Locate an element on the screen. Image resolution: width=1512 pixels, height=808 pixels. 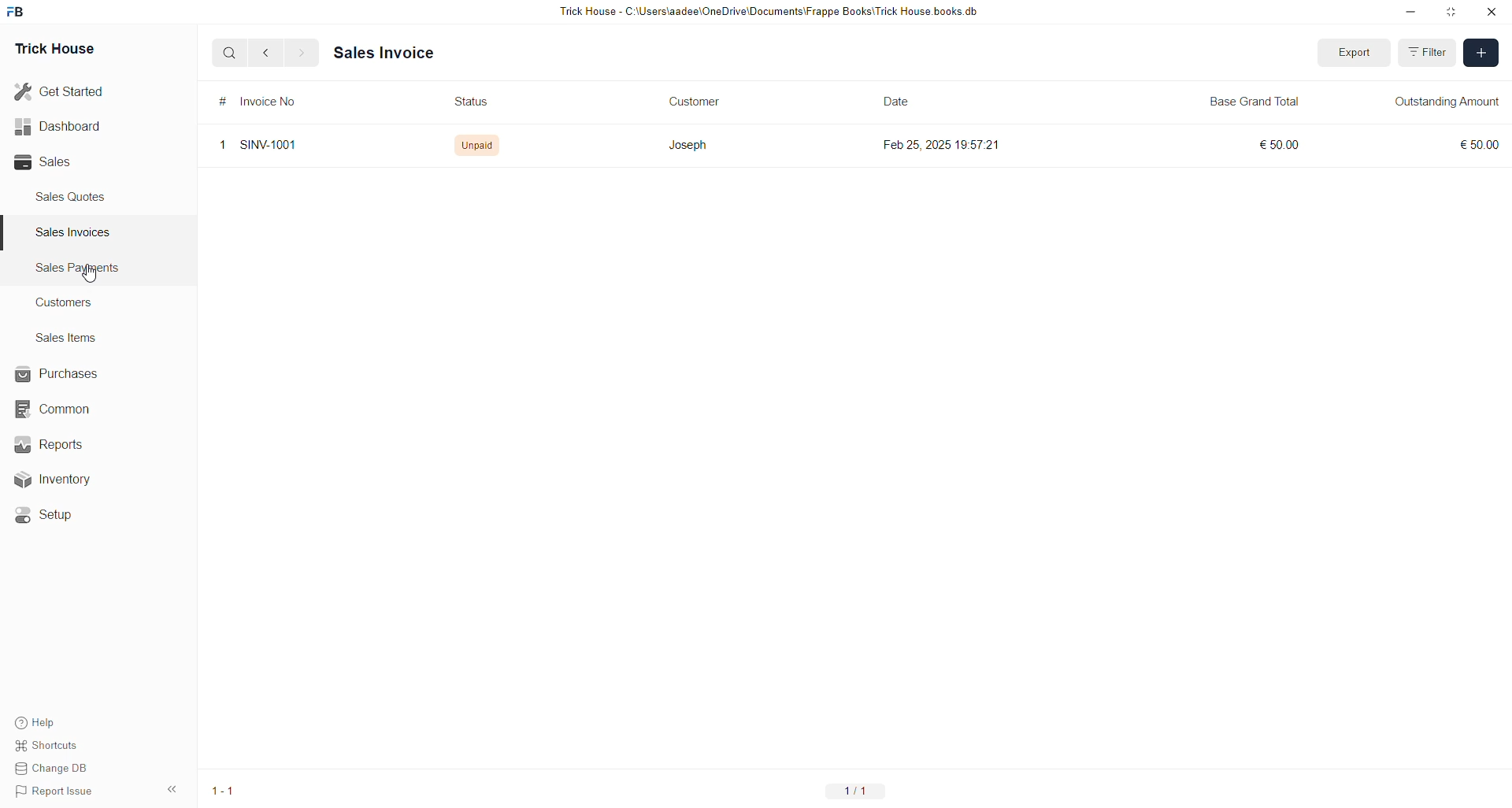
cursor is located at coordinates (89, 273).